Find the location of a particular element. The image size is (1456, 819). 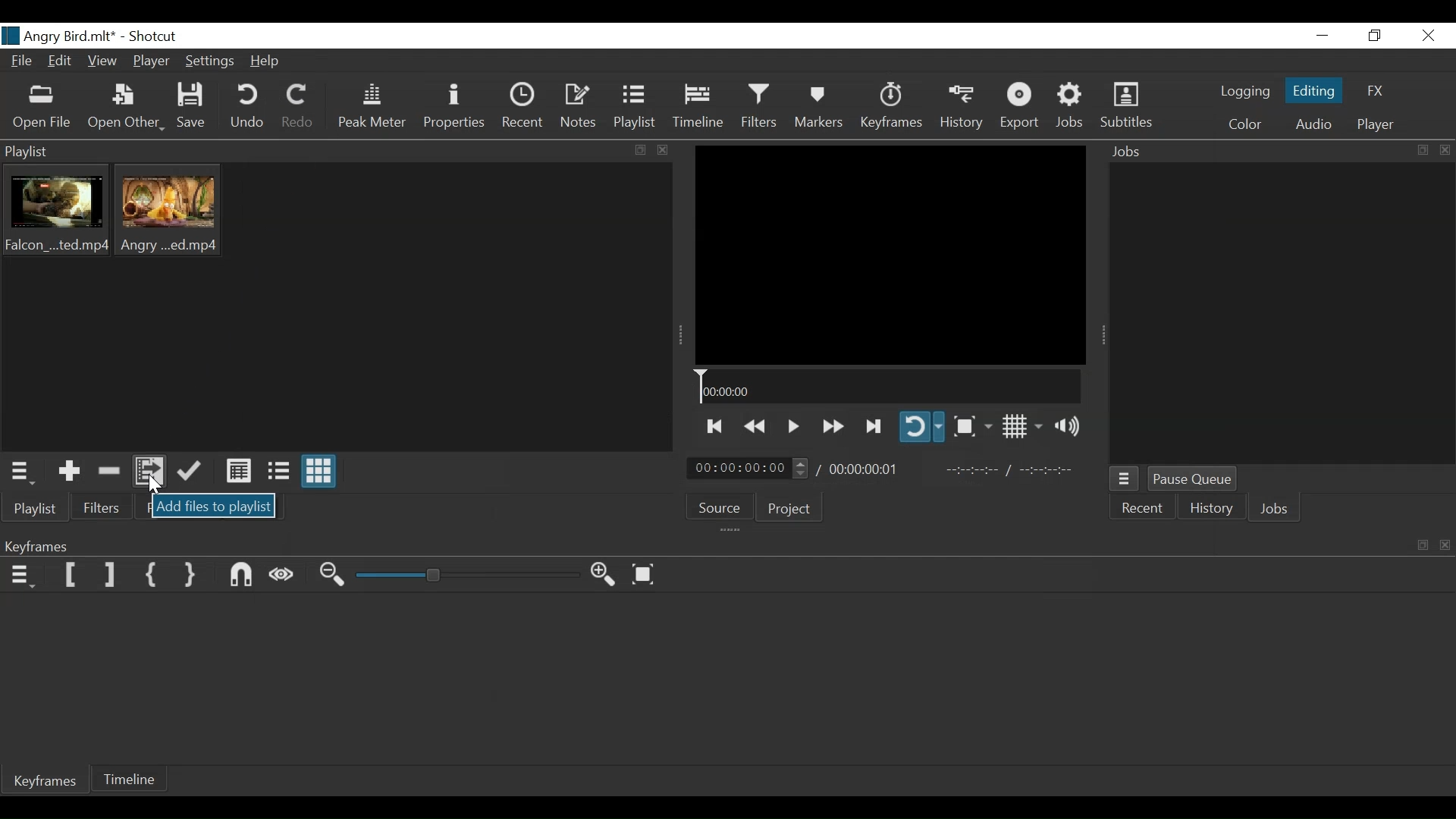

Current Duration is located at coordinates (748, 469).